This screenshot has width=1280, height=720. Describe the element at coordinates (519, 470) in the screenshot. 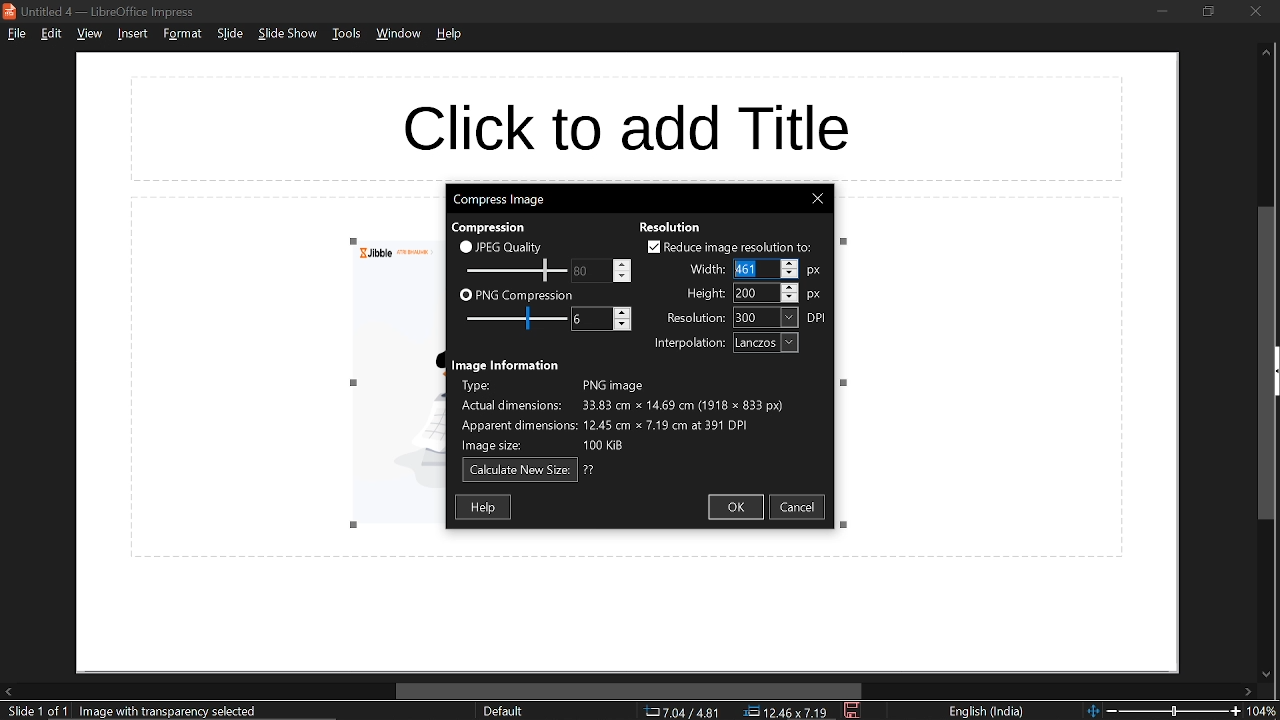

I see `calculate new size` at that location.